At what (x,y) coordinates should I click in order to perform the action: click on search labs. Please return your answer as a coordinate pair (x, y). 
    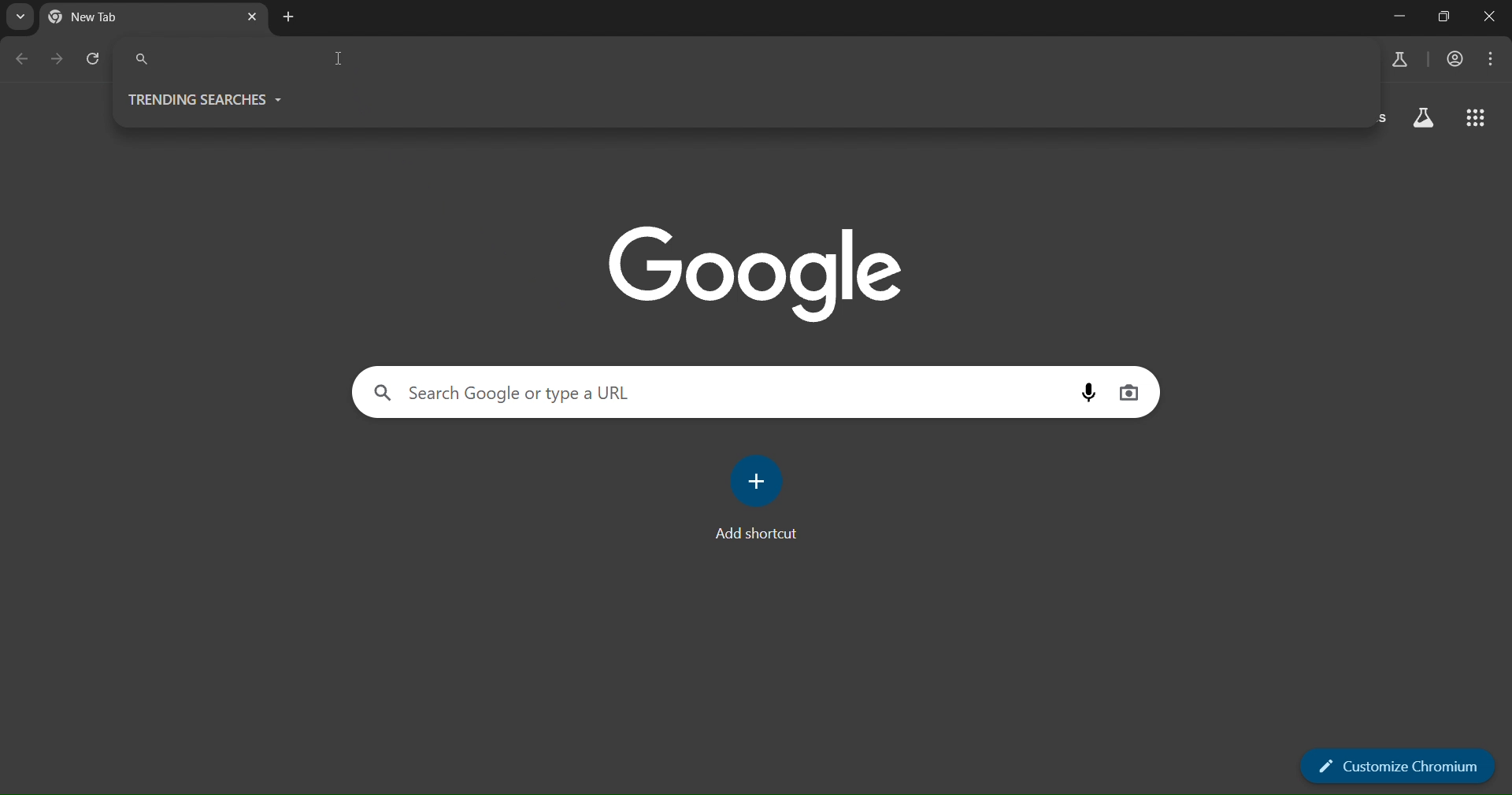
    Looking at the image, I should click on (1399, 58).